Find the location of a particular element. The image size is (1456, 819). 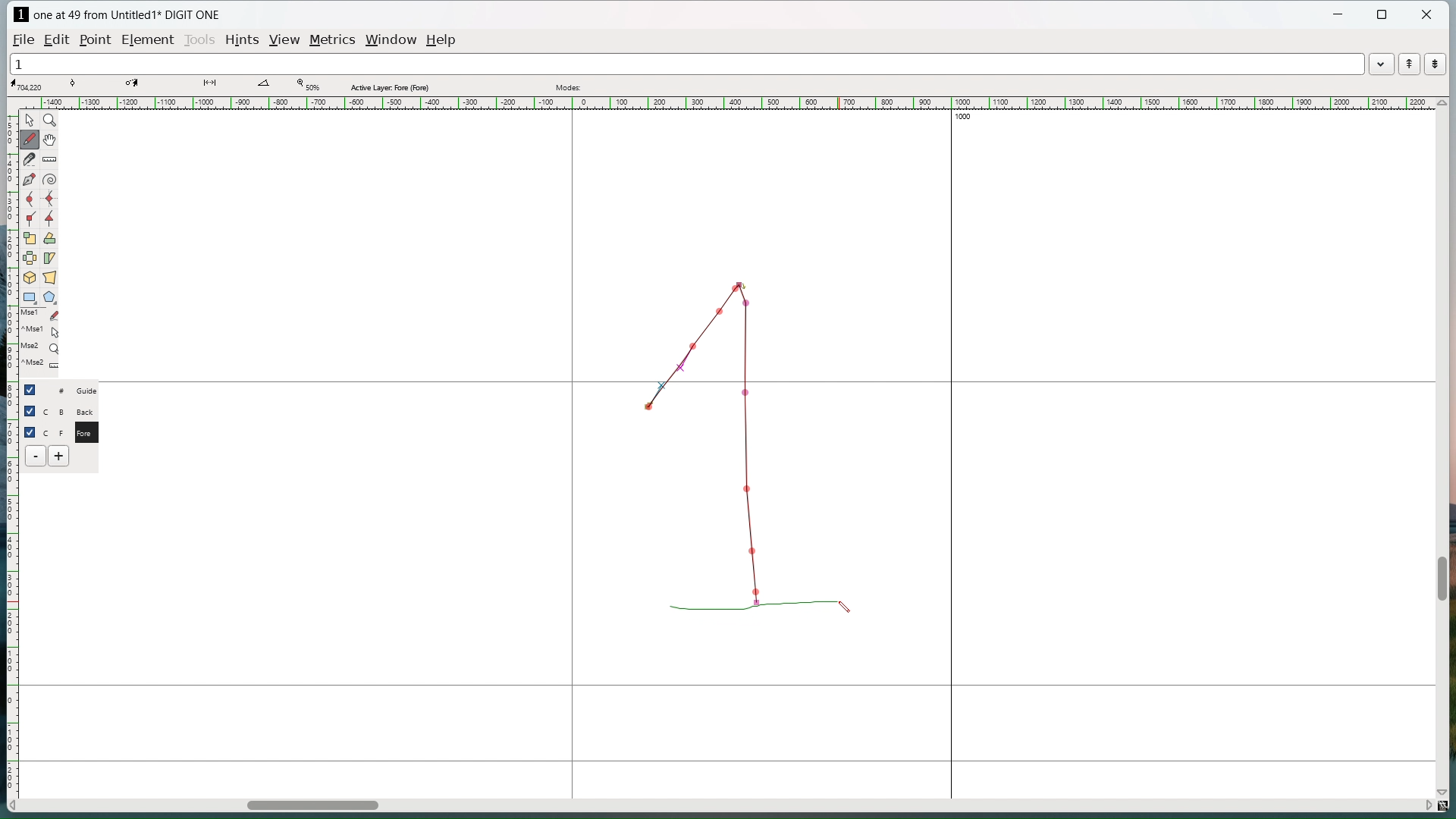

angle between lines is located at coordinates (272, 86).